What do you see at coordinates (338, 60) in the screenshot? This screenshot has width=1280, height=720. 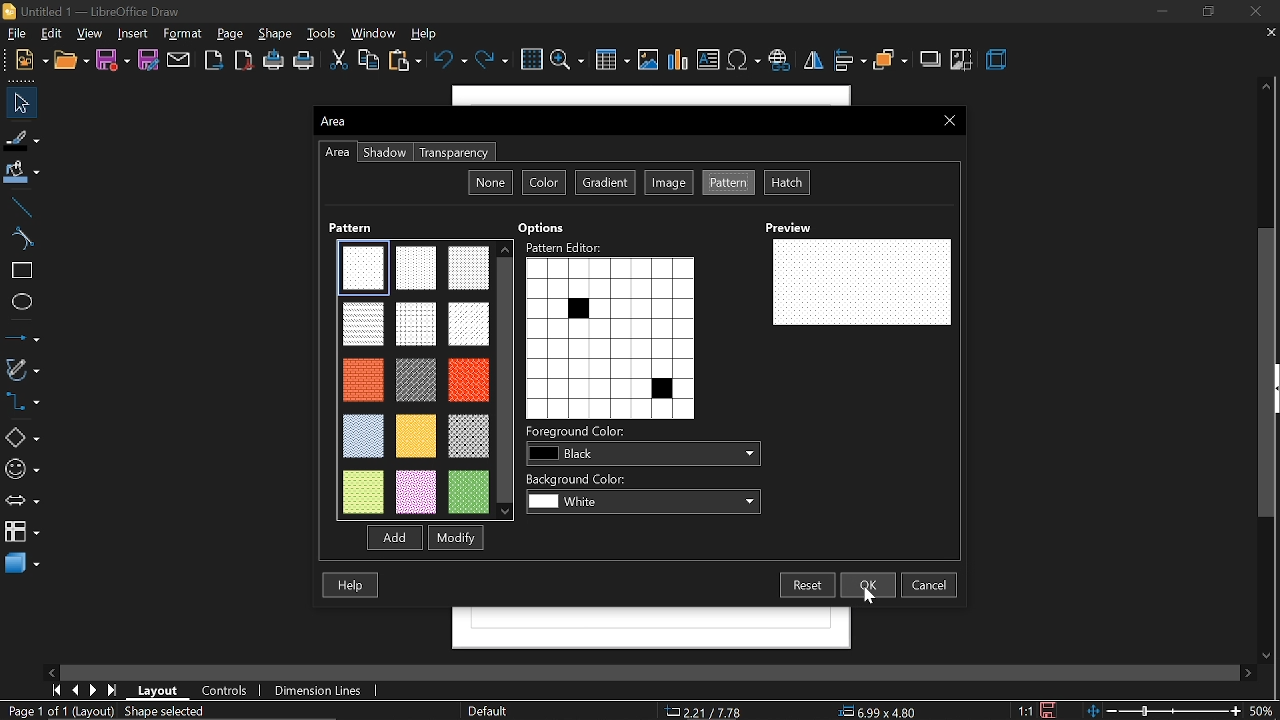 I see `cut` at bounding box center [338, 60].